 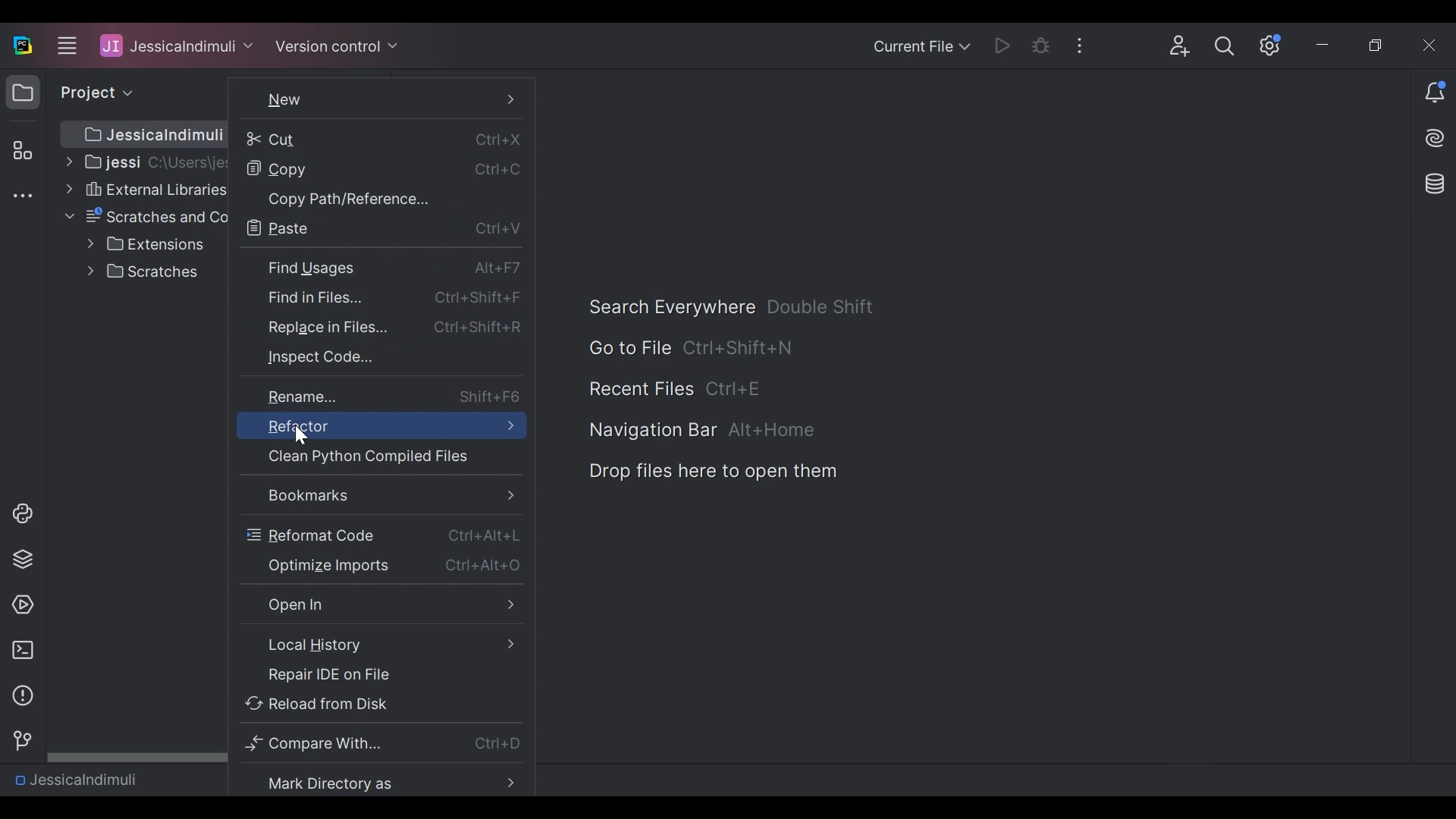 I want to click on Extensions, so click(x=146, y=244).